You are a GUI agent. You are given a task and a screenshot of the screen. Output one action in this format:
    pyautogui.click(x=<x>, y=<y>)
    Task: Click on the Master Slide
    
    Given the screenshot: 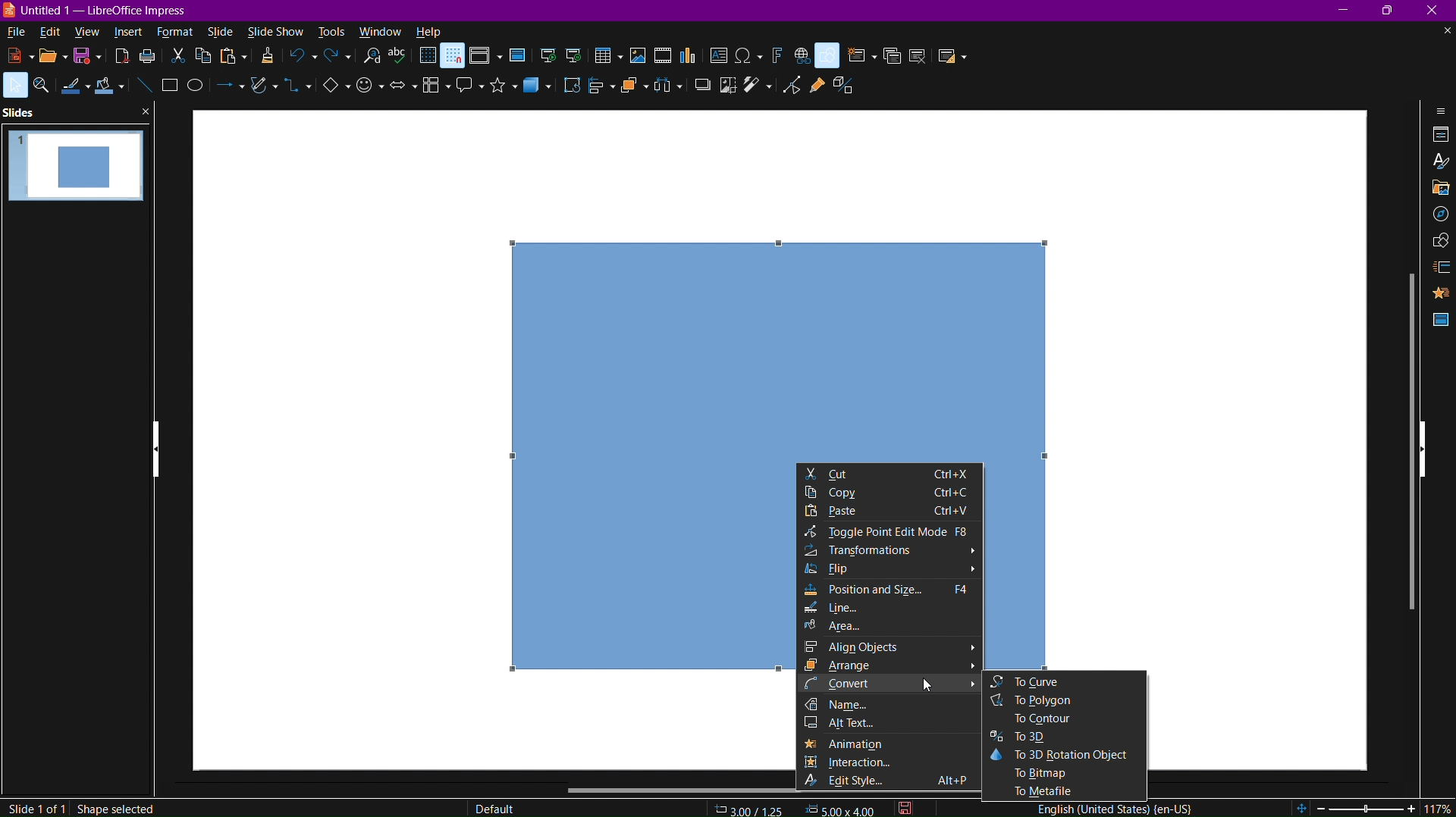 What is the action you would take?
    pyautogui.click(x=516, y=57)
    